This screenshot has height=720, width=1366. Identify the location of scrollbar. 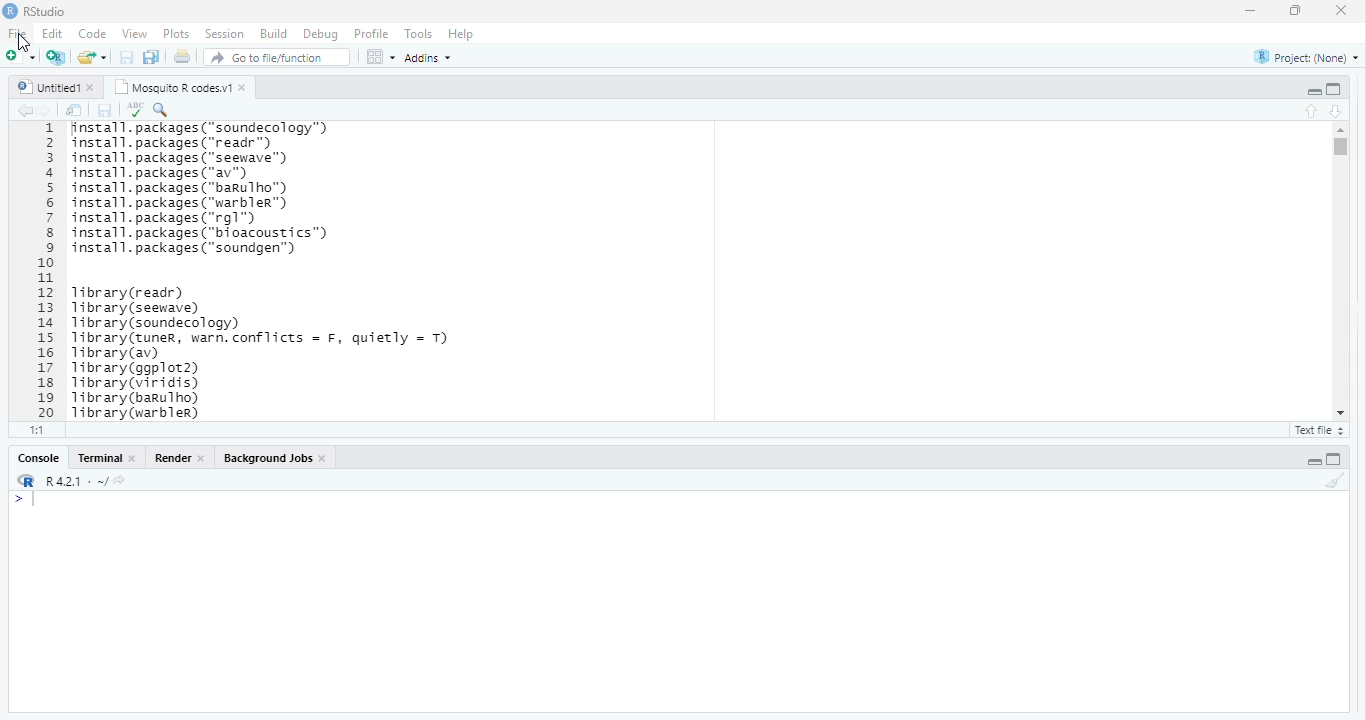
(1342, 270).